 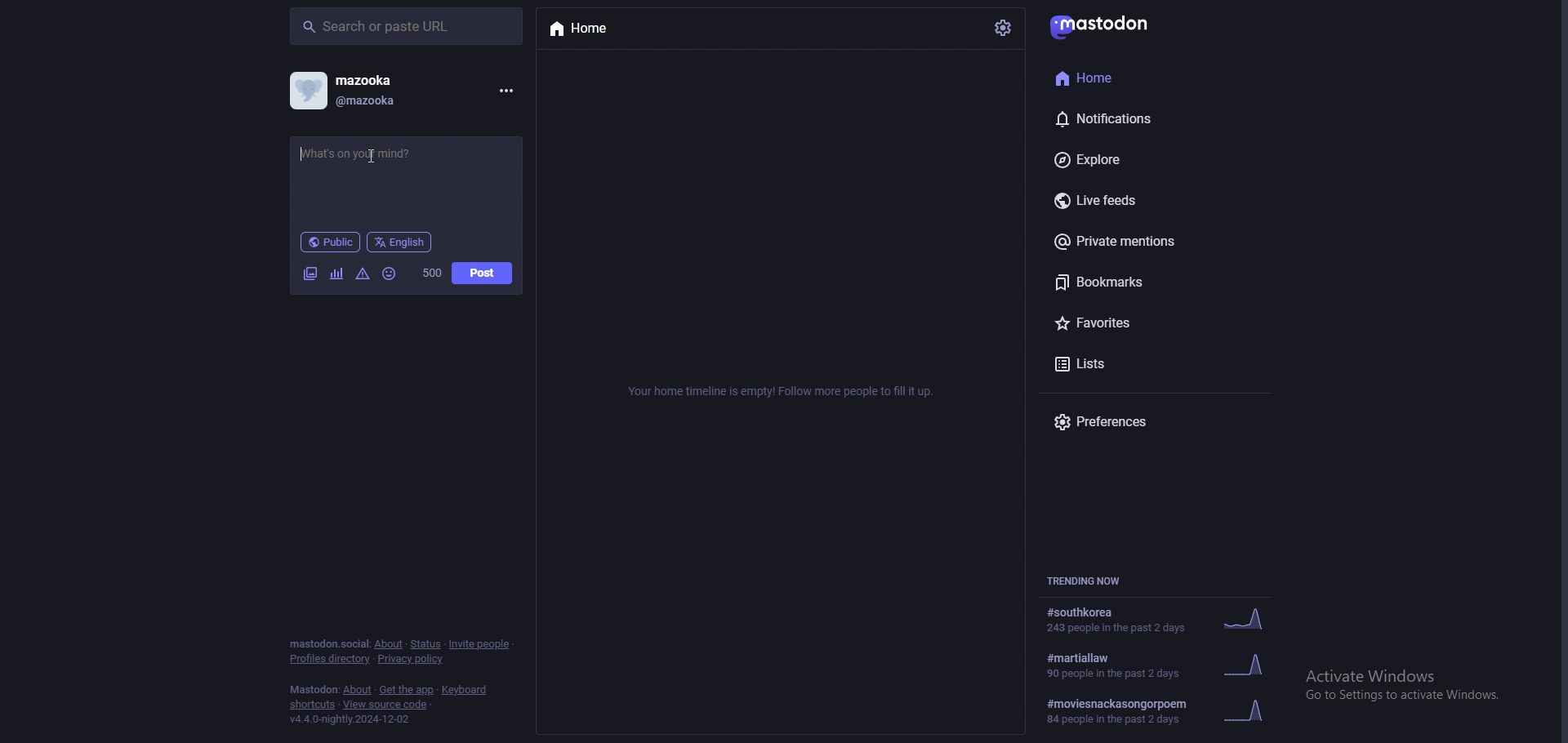 What do you see at coordinates (387, 79) in the screenshot?
I see `mazooka` at bounding box center [387, 79].